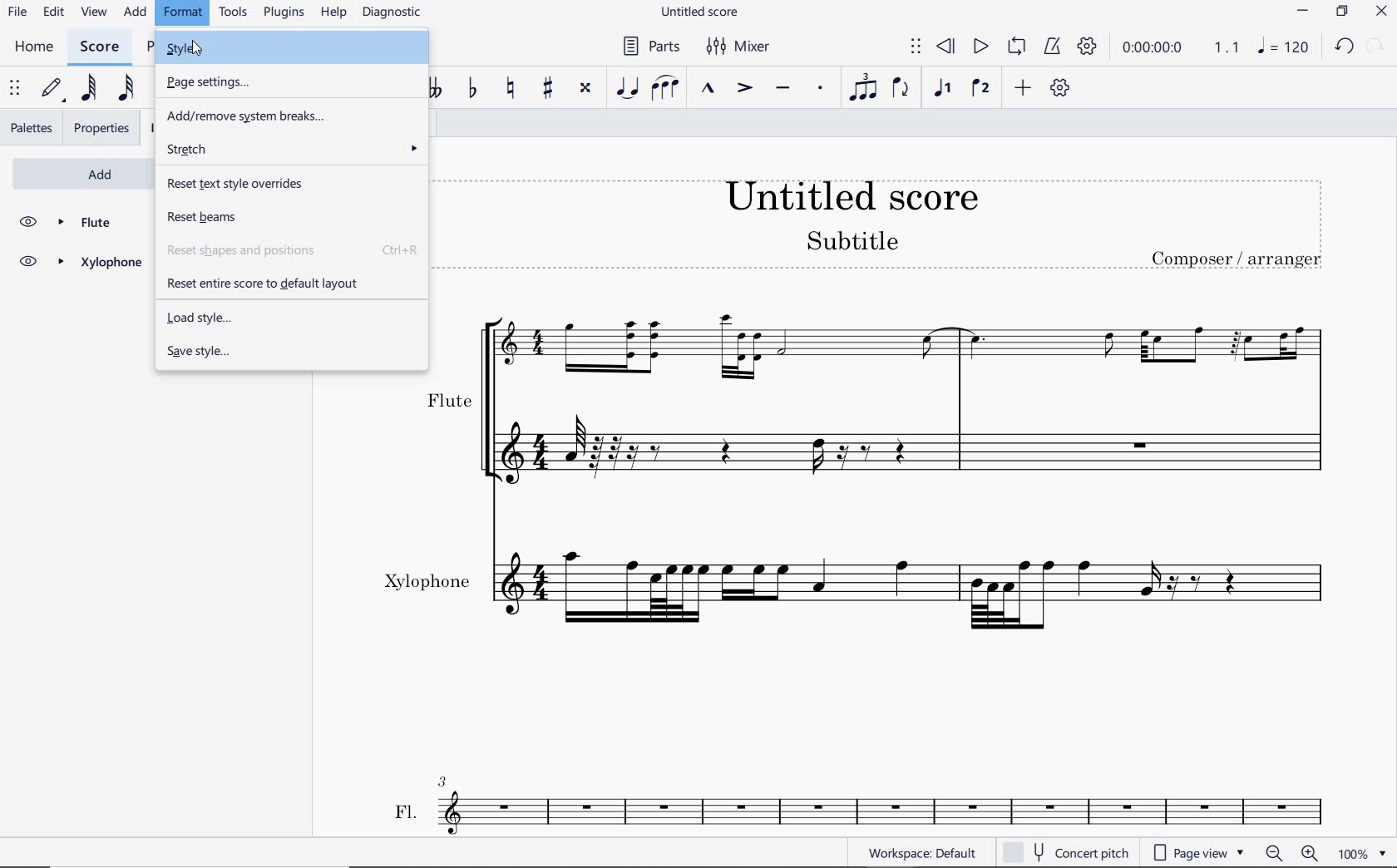 Image resolution: width=1397 pixels, height=868 pixels. I want to click on ADD, so click(78, 172).